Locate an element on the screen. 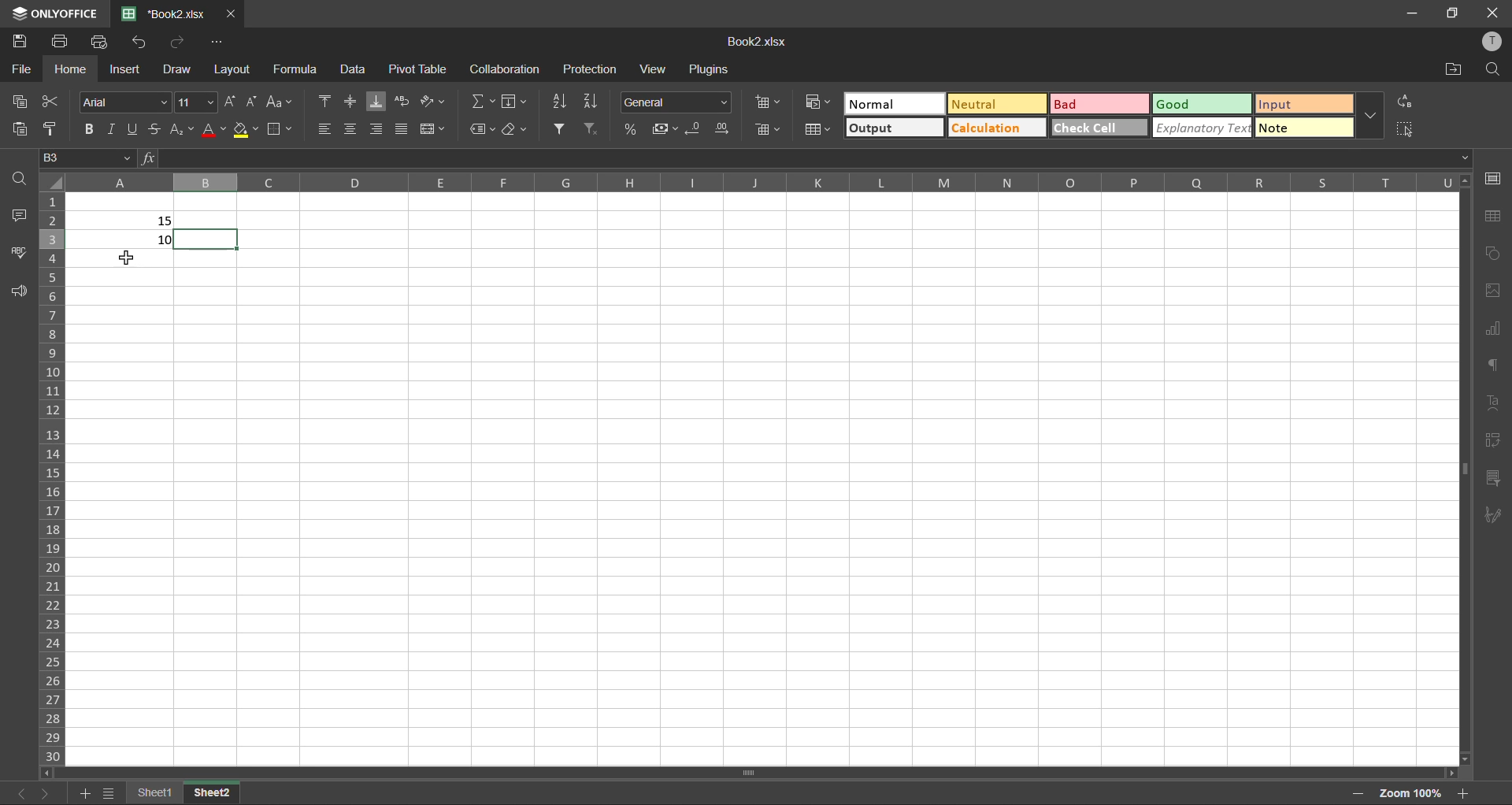 The height and width of the screenshot is (805, 1512). align left is located at coordinates (328, 129).